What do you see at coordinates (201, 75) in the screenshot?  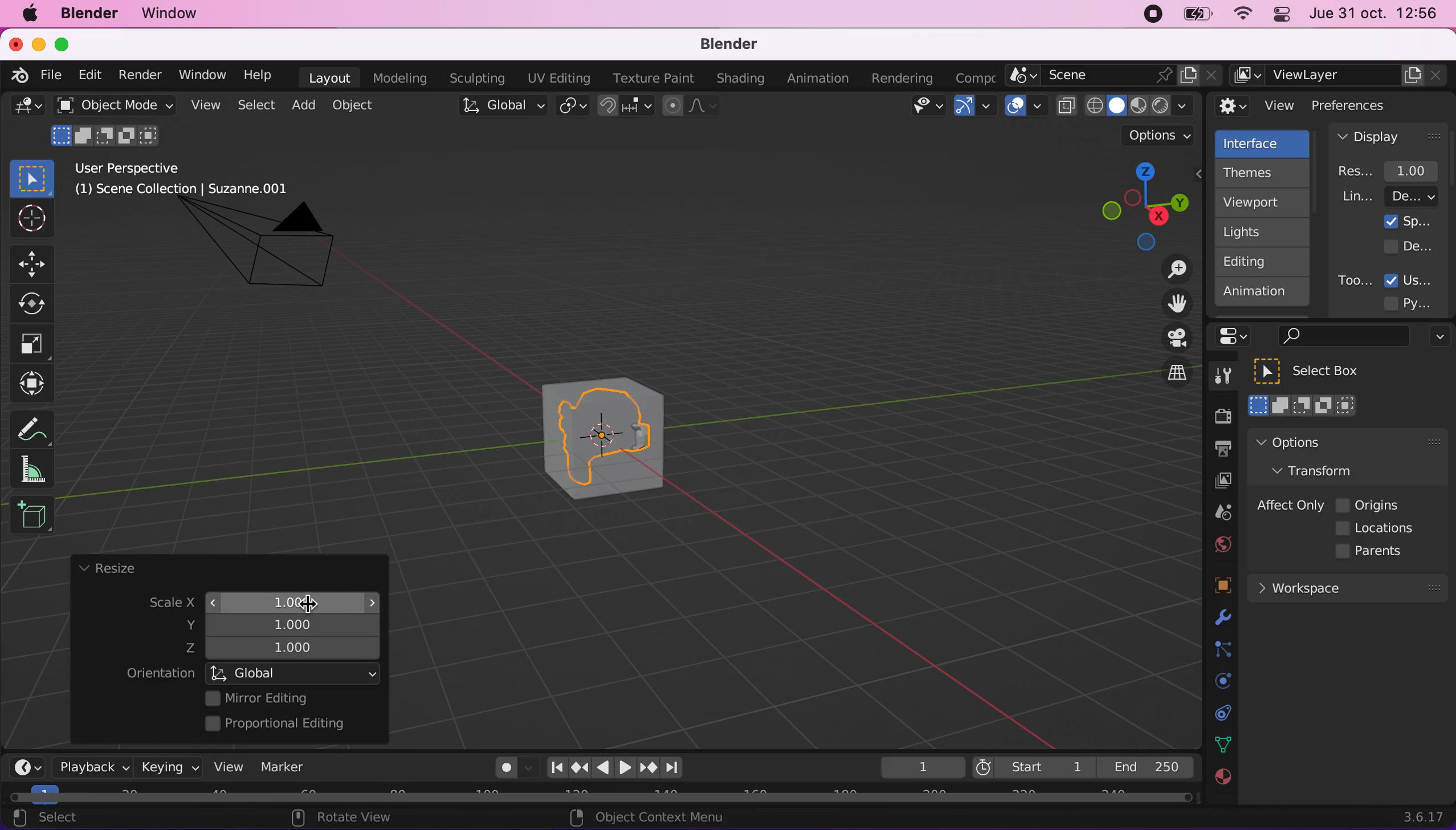 I see `window` at bounding box center [201, 75].